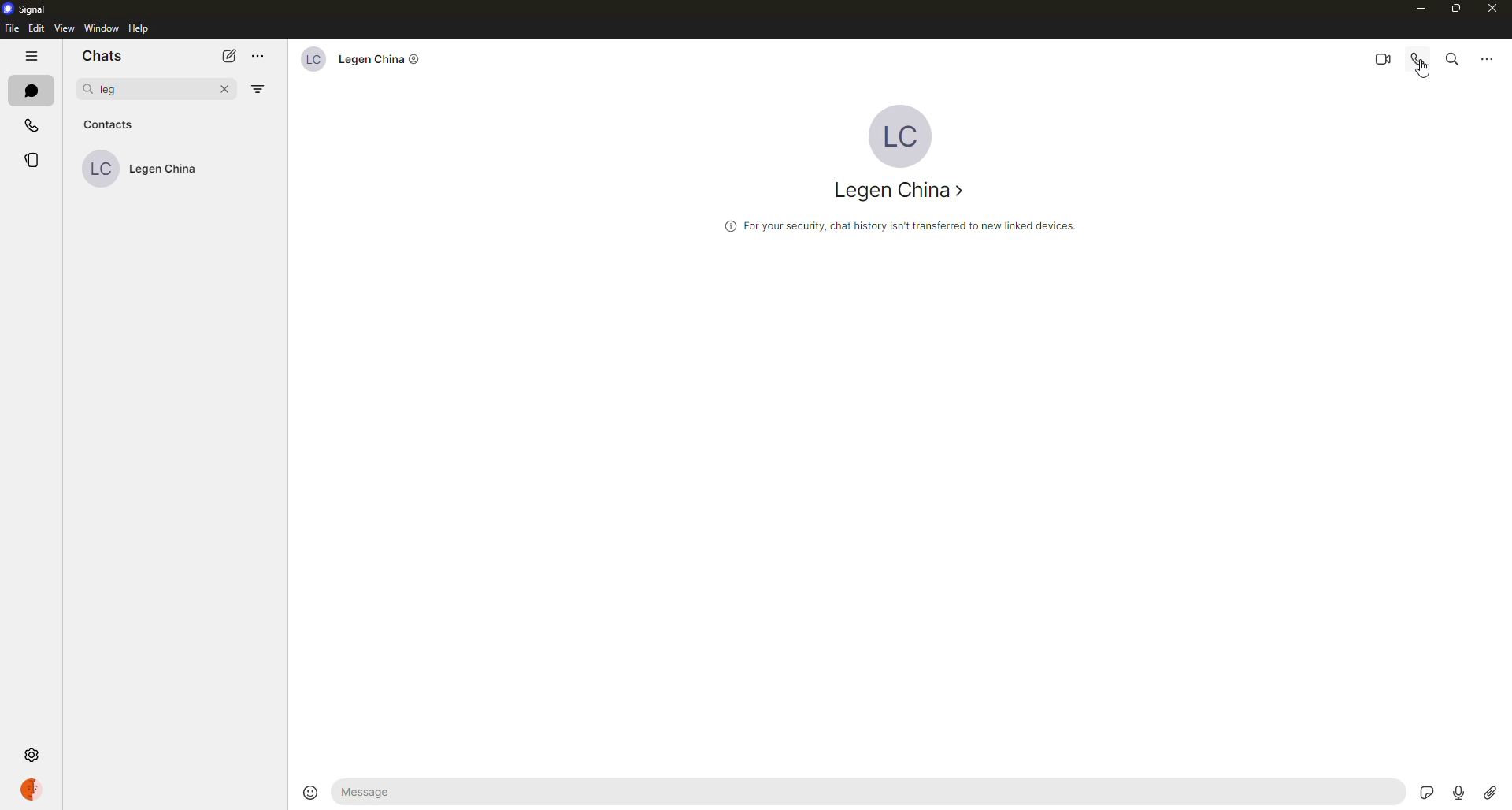 The width and height of the screenshot is (1512, 810). Describe the element at coordinates (1424, 73) in the screenshot. I see `cursor` at that location.